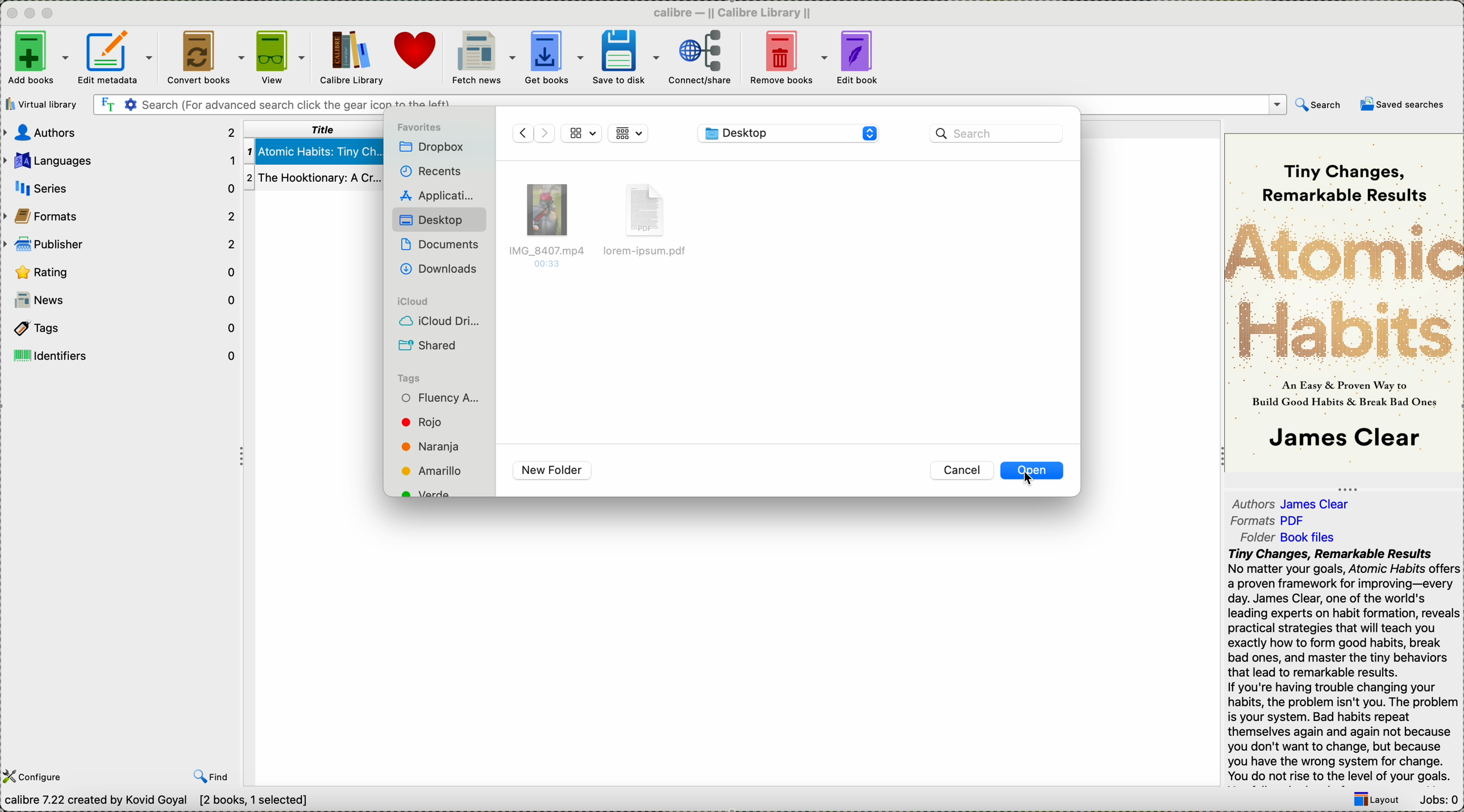 The height and width of the screenshot is (812, 1464). Describe the element at coordinates (1295, 504) in the screenshot. I see `authors` at that location.